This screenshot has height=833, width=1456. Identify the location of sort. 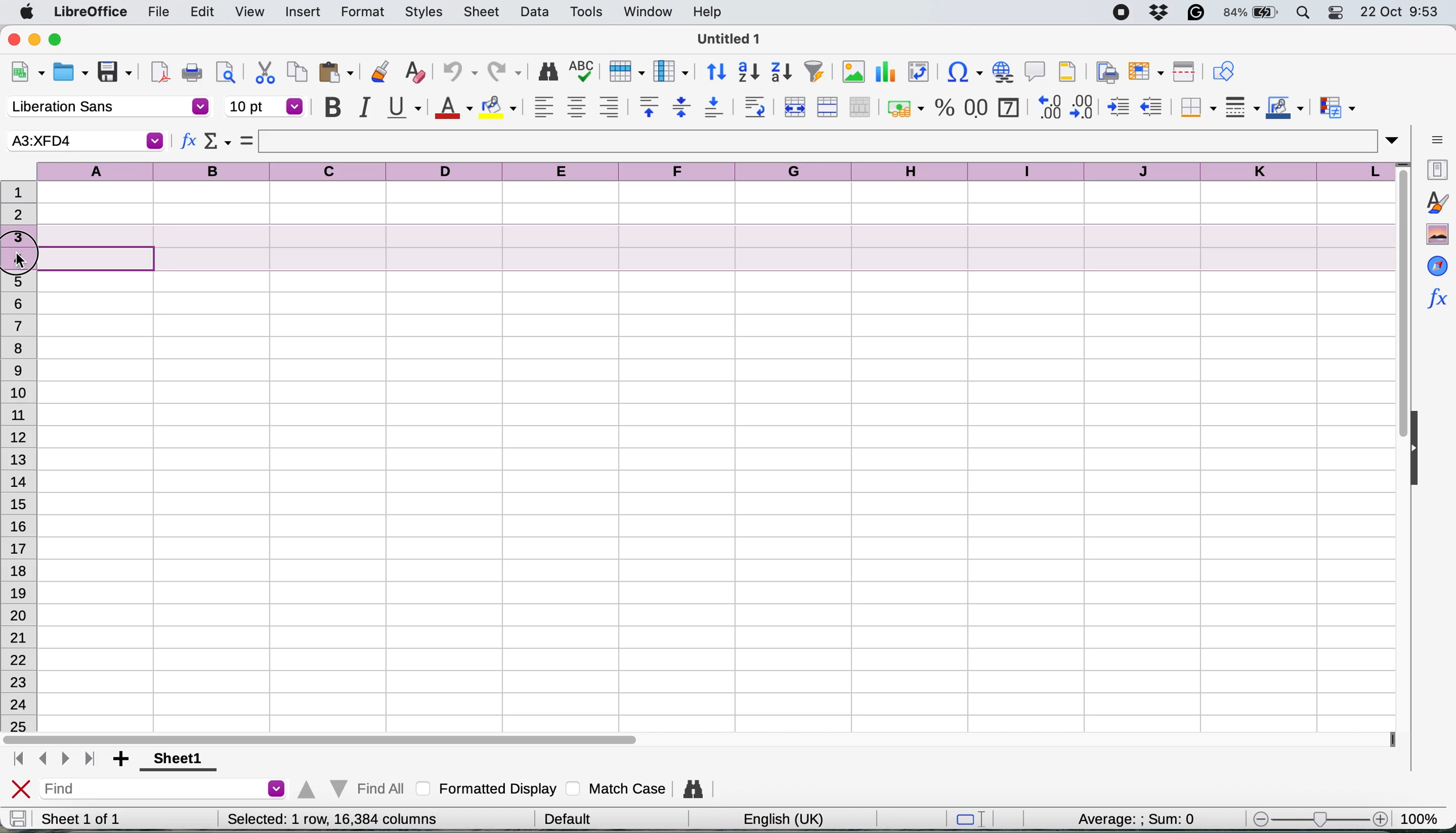
(717, 70).